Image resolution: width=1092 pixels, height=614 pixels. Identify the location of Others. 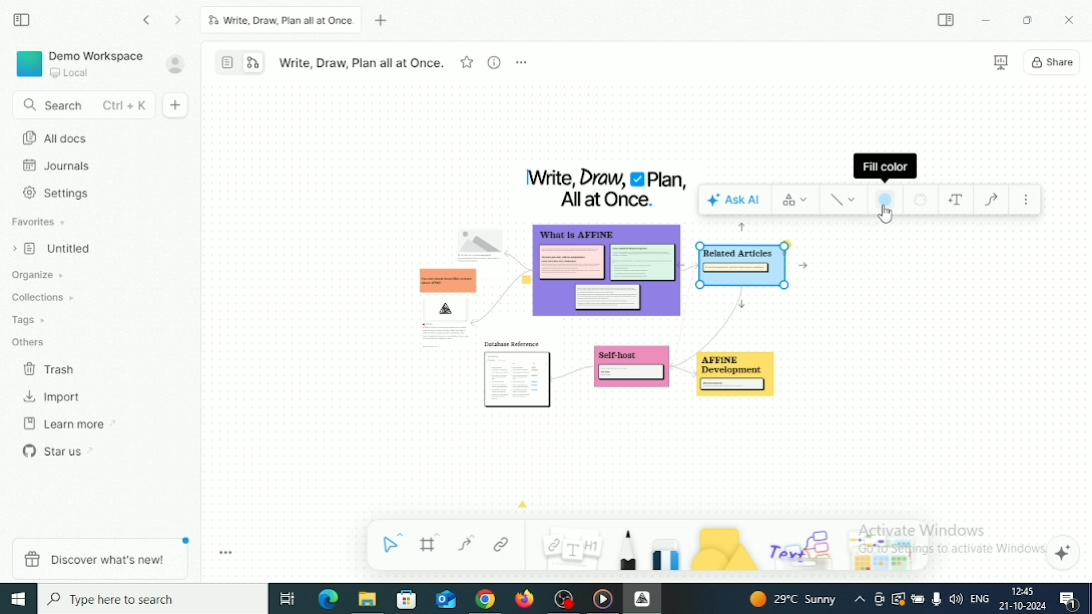
(30, 341).